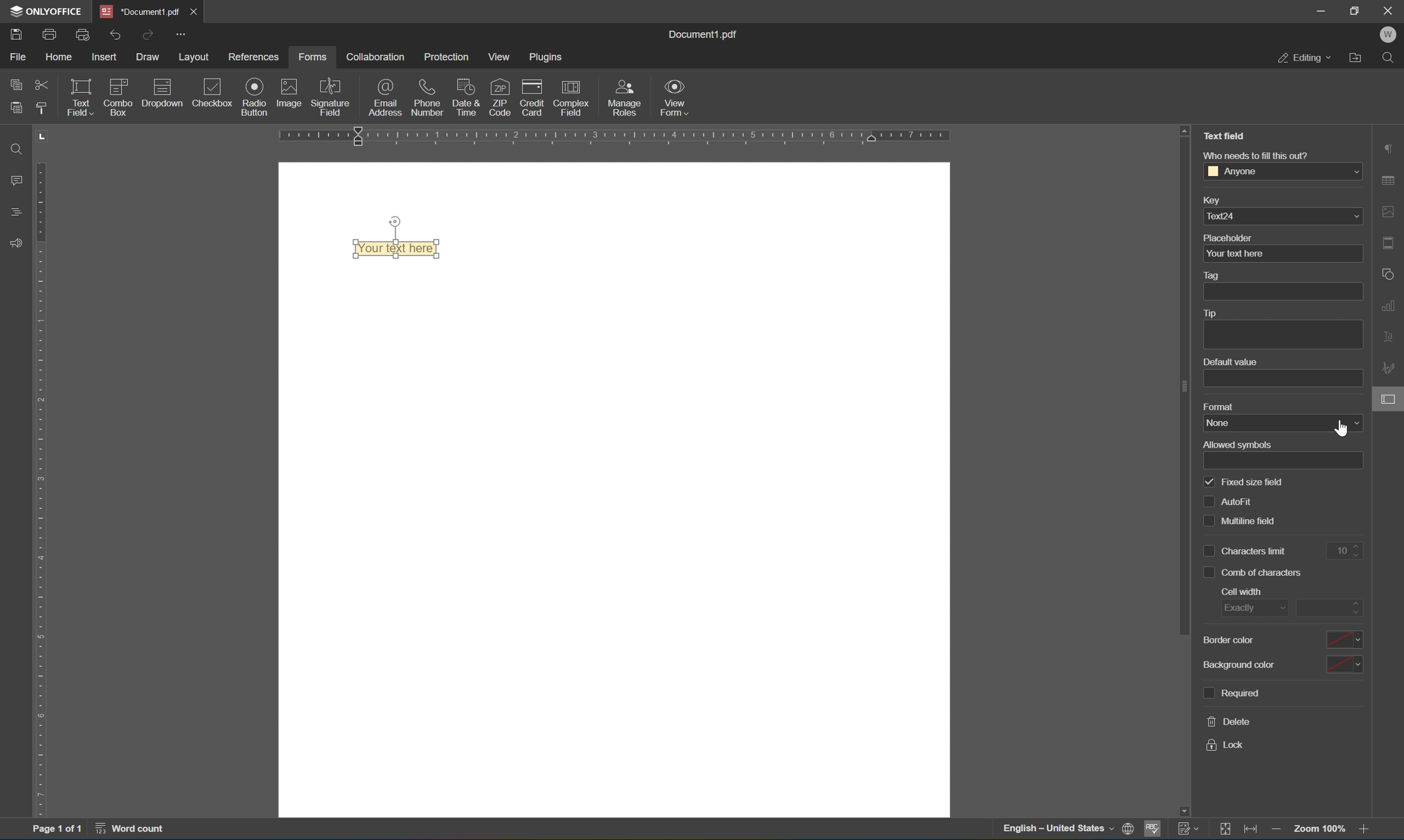 The width and height of the screenshot is (1404, 840). Describe the element at coordinates (16, 244) in the screenshot. I see `feedback and support` at that location.